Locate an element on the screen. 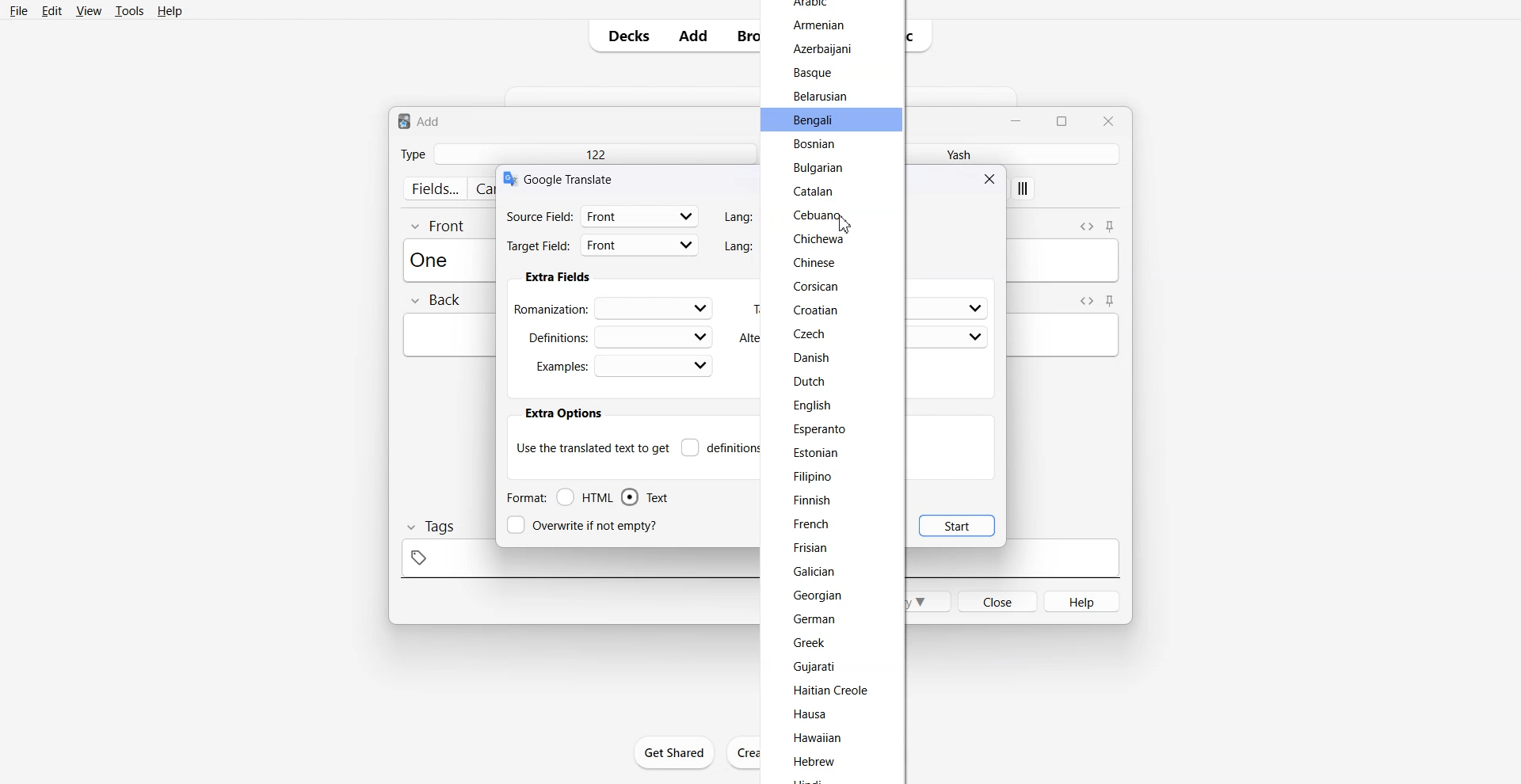 This screenshot has height=784, width=1521. German is located at coordinates (814, 618).